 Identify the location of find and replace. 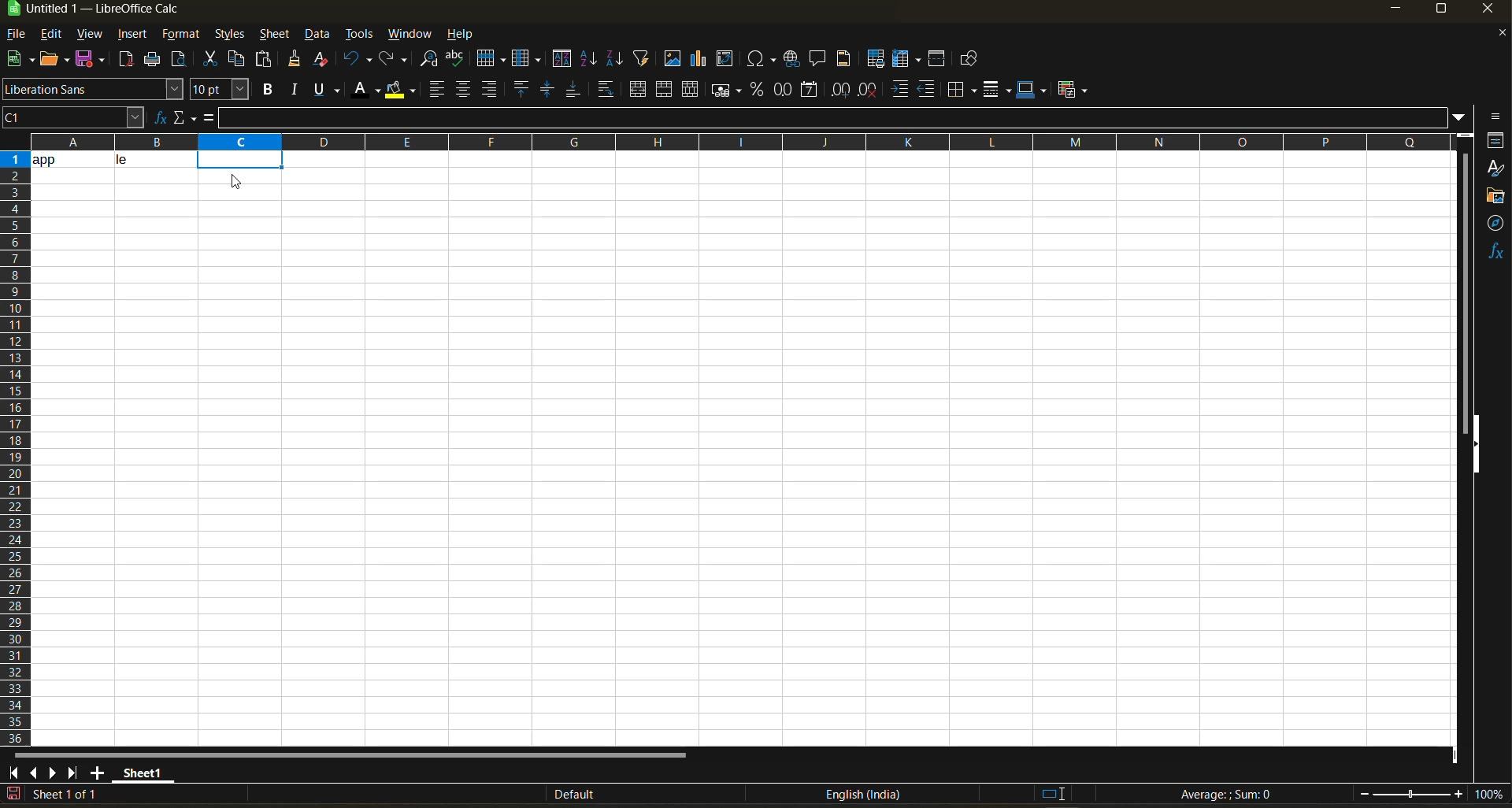
(432, 61).